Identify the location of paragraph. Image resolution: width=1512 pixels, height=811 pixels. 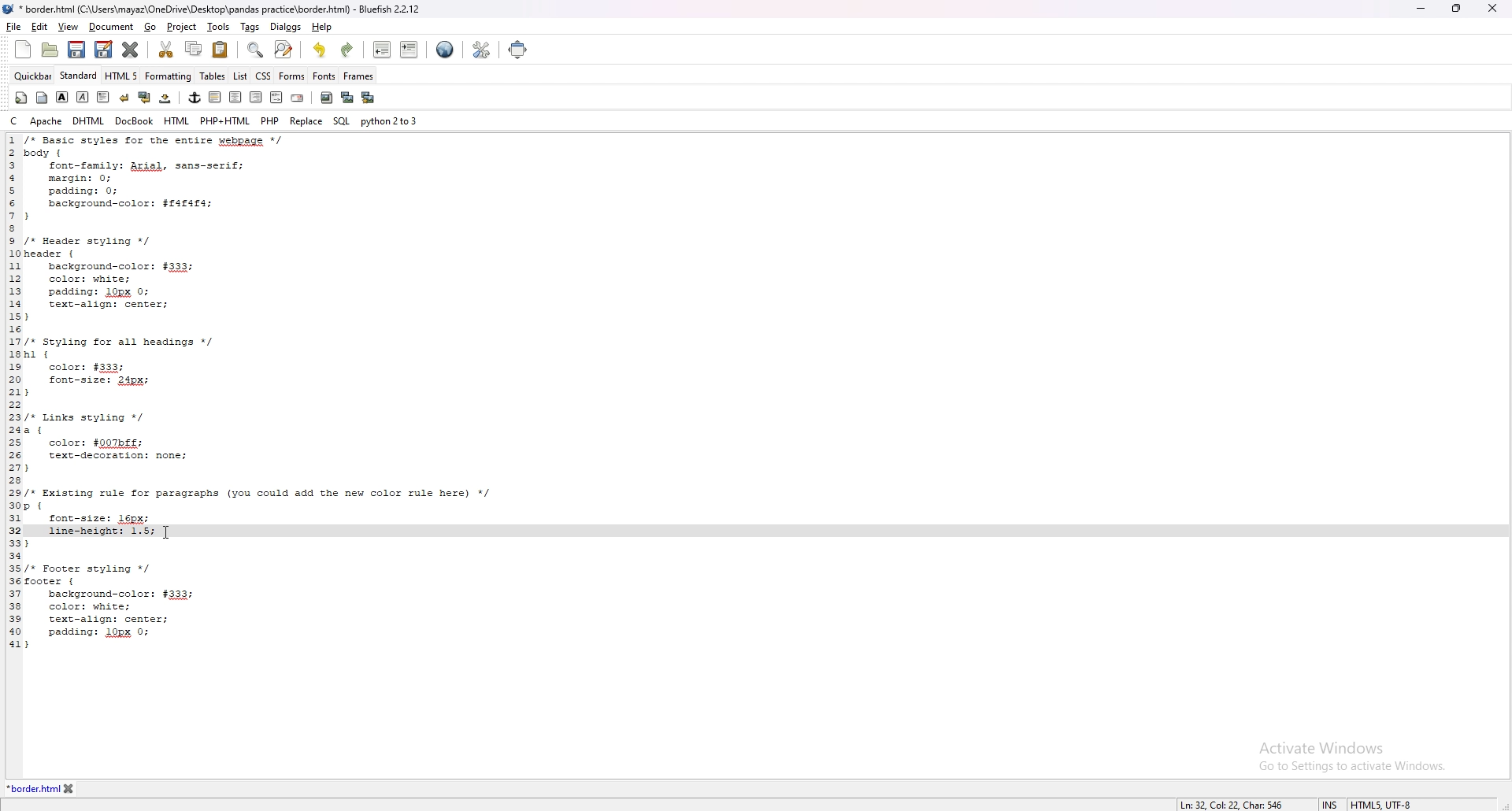
(102, 96).